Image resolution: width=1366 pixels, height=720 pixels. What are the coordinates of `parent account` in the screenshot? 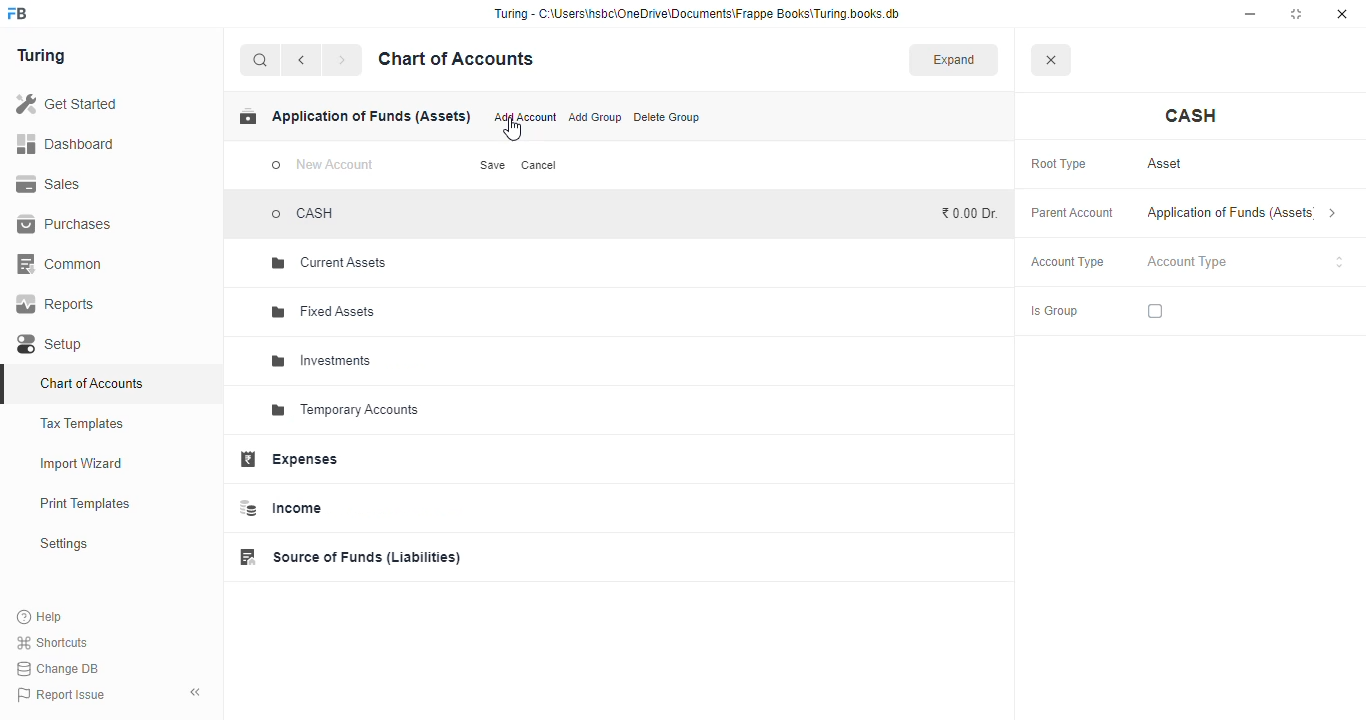 It's located at (1073, 214).